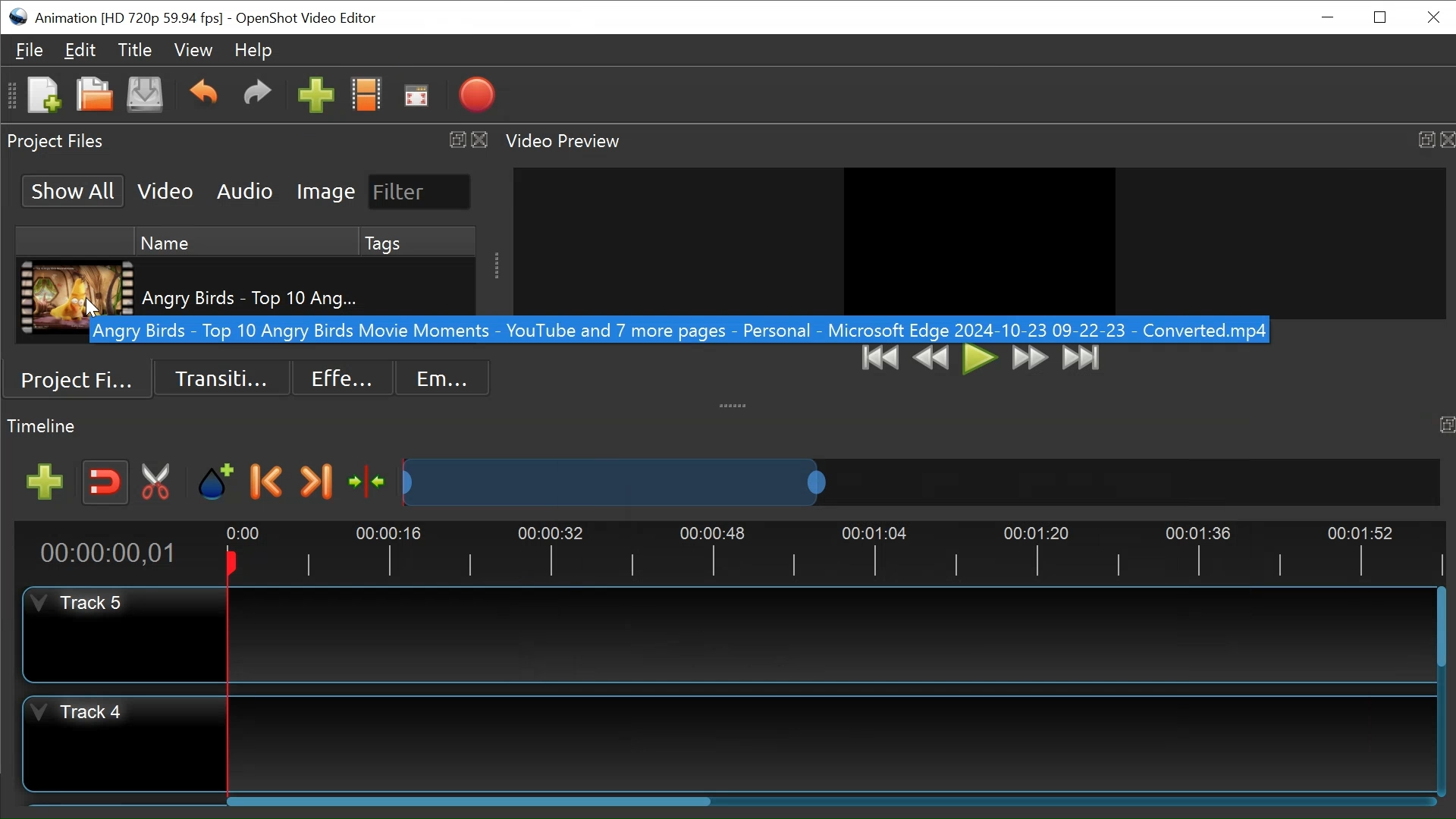 This screenshot has height=819, width=1456. Describe the element at coordinates (108, 554) in the screenshot. I see `Current Position` at that location.